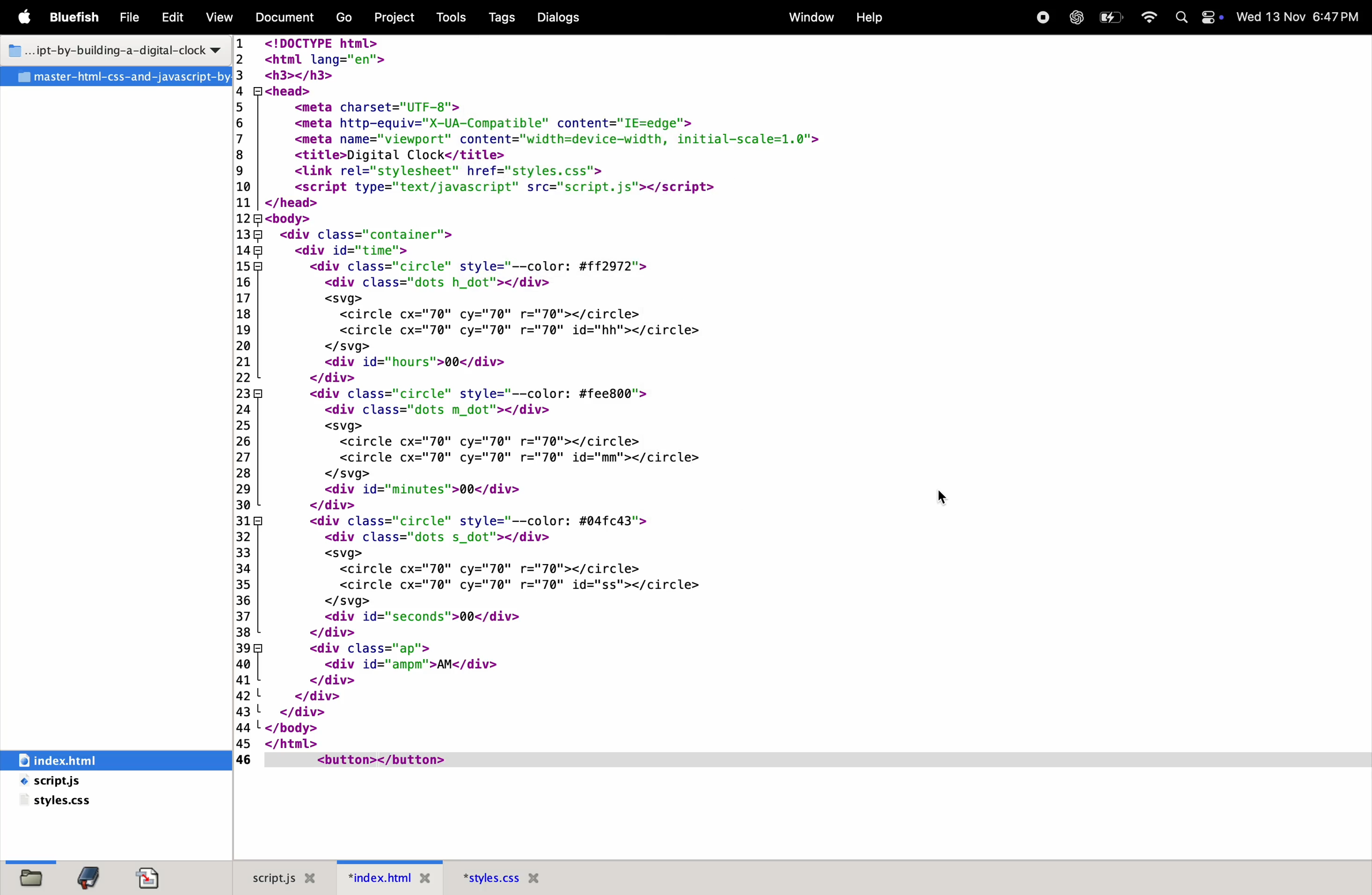 The width and height of the screenshot is (1372, 895). I want to click on page title, so click(112, 52).